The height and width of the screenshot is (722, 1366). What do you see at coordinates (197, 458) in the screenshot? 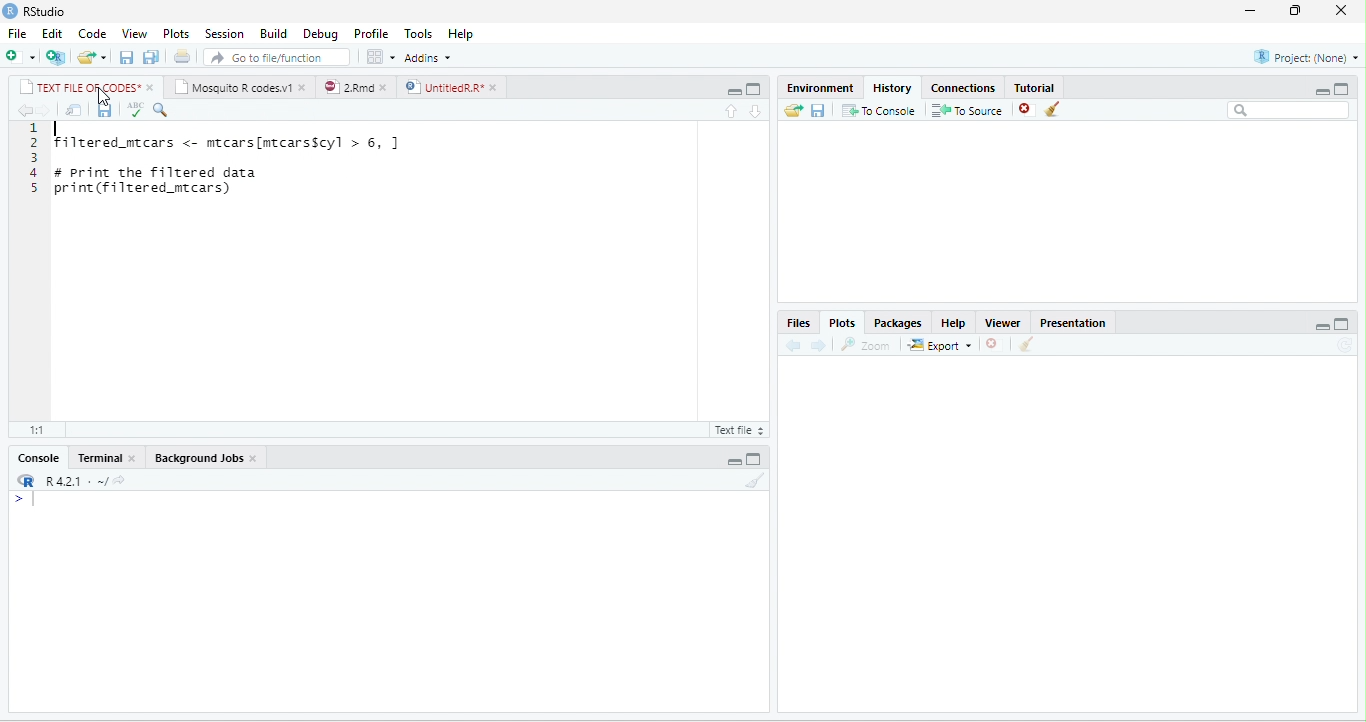
I see `Background Jobs` at bounding box center [197, 458].